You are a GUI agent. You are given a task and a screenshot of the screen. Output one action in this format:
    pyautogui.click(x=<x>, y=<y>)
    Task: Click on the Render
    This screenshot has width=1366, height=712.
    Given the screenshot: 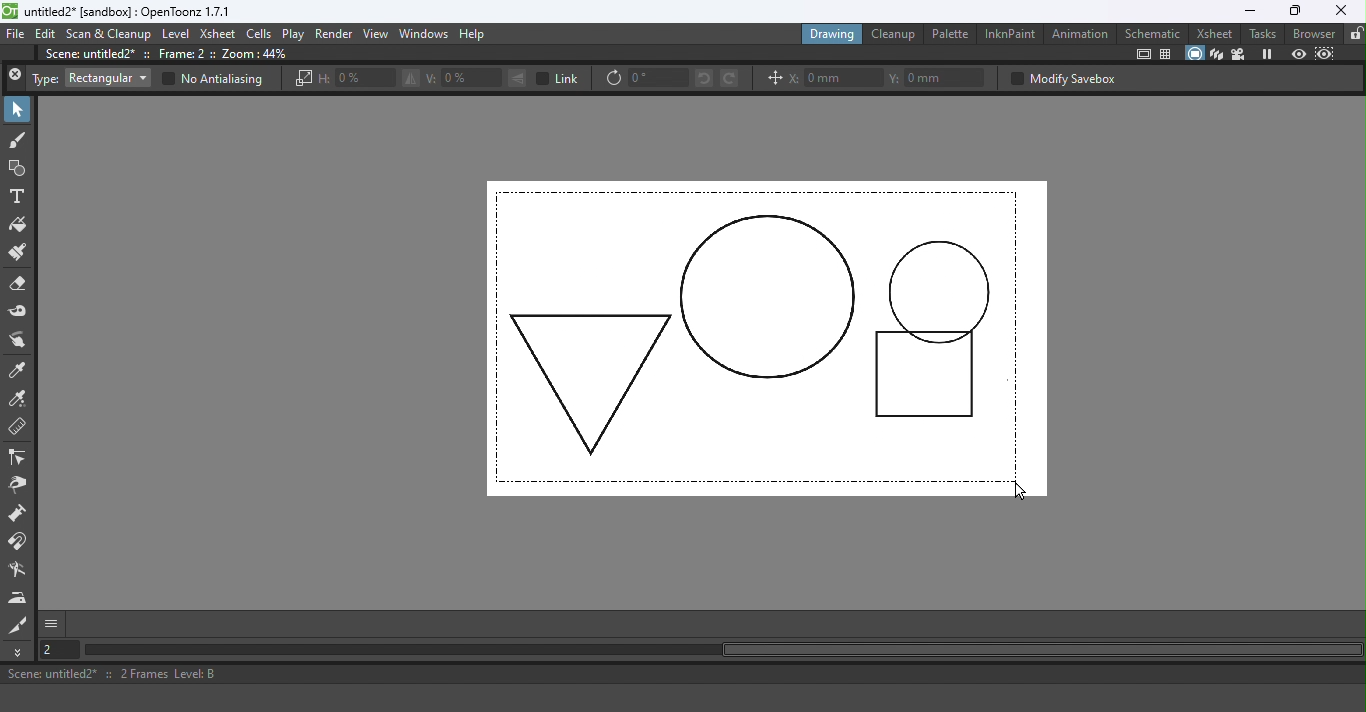 What is the action you would take?
    pyautogui.click(x=335, y=33)
    